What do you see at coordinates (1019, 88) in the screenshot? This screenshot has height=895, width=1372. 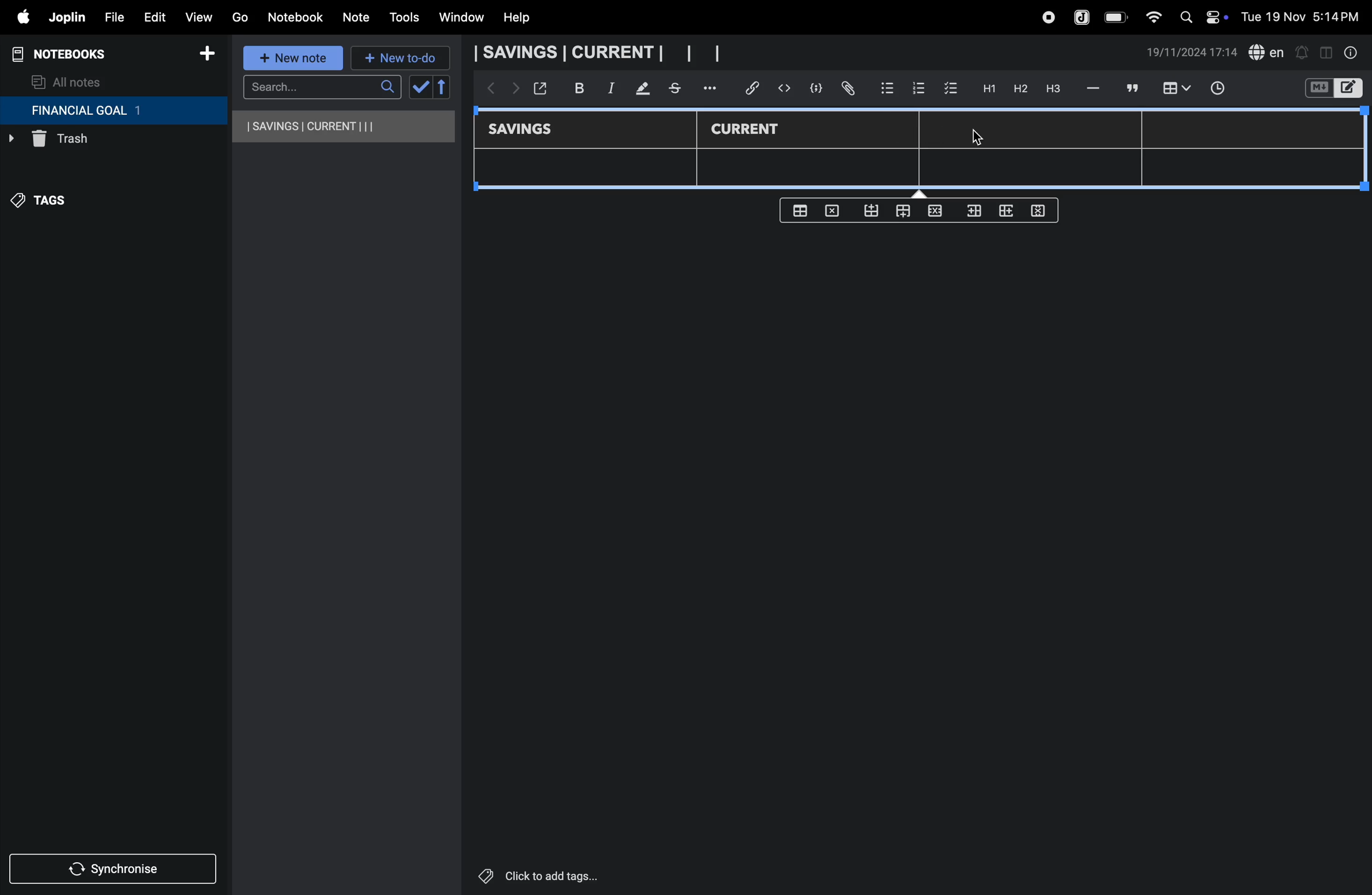 I see `h2` at bounding box center [1019, 88].